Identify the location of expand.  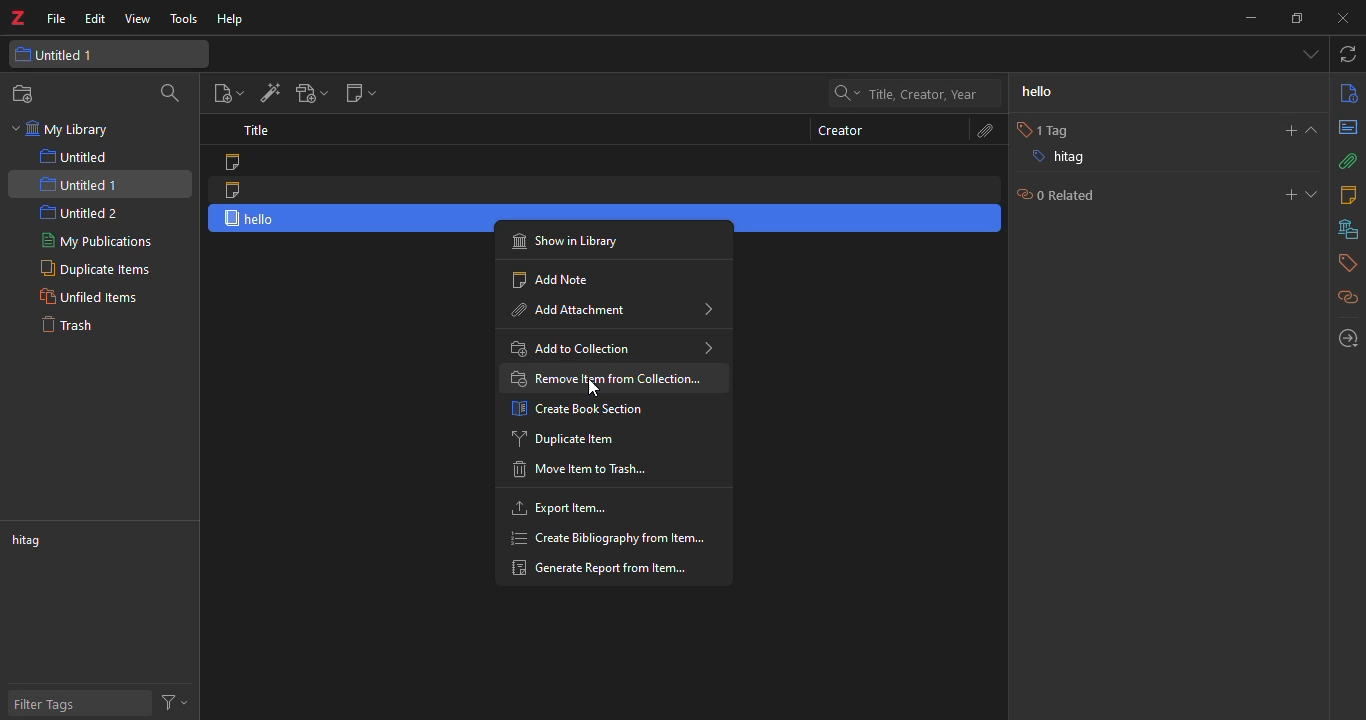
(1313, 130).